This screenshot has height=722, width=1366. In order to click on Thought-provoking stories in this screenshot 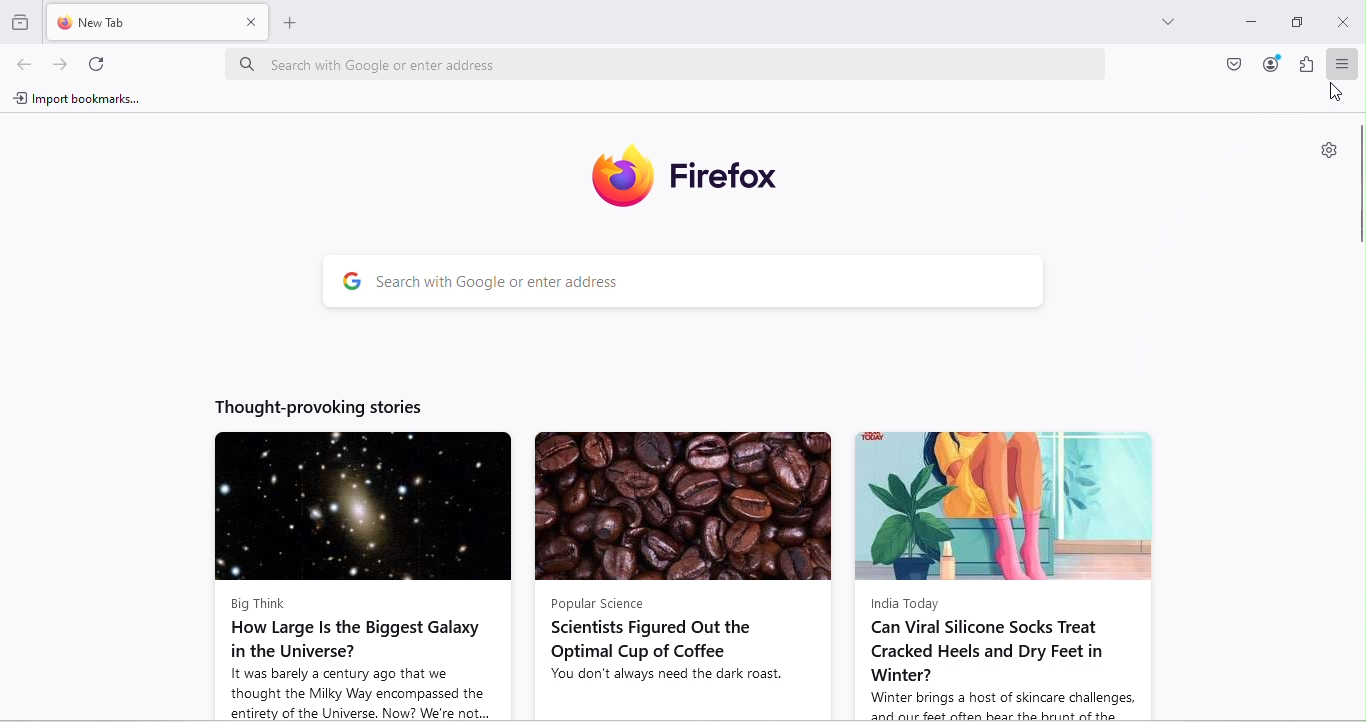, I will do `click(320, 403)`.